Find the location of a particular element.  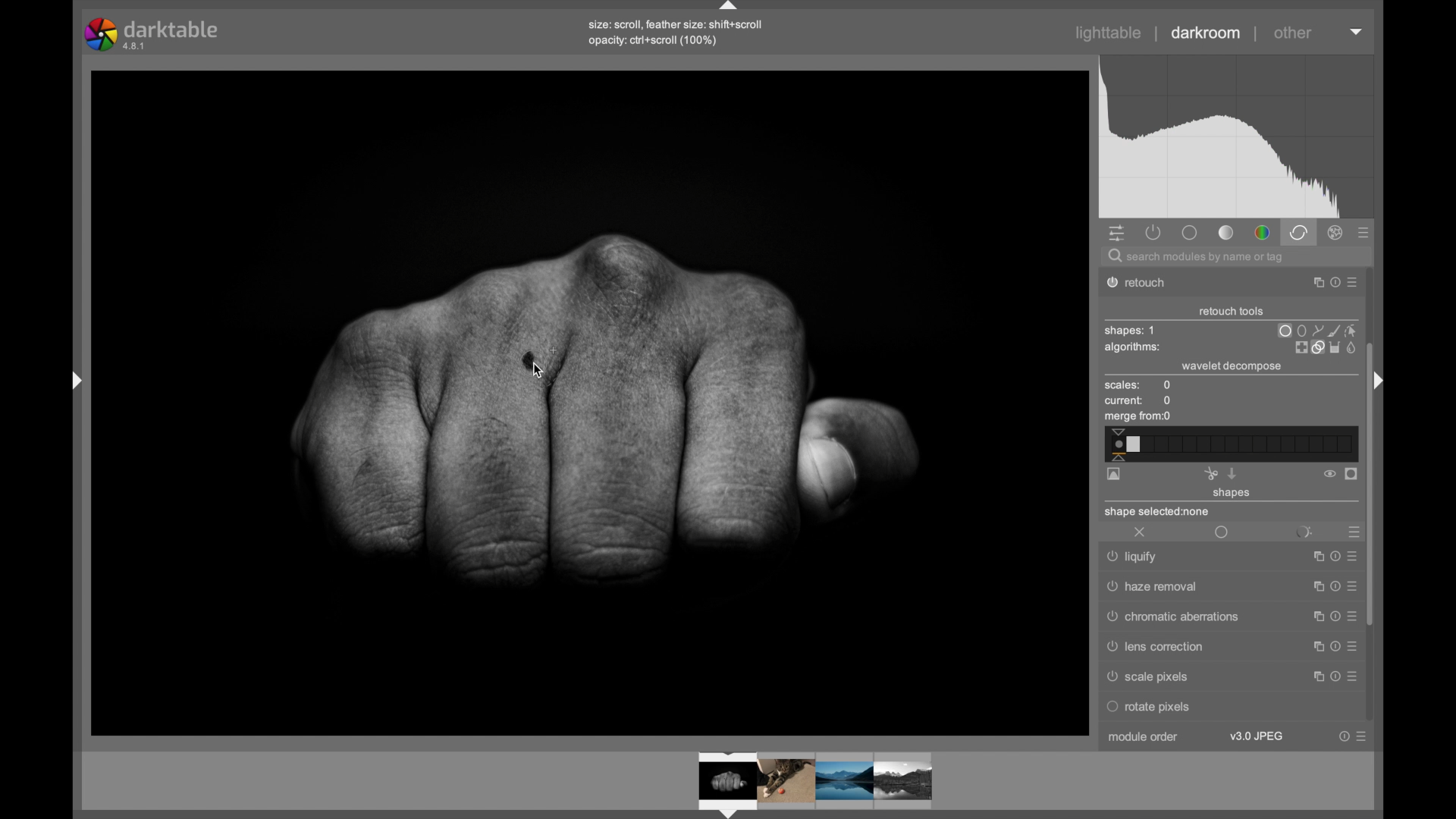

help is located at coordinates (1333, 647).